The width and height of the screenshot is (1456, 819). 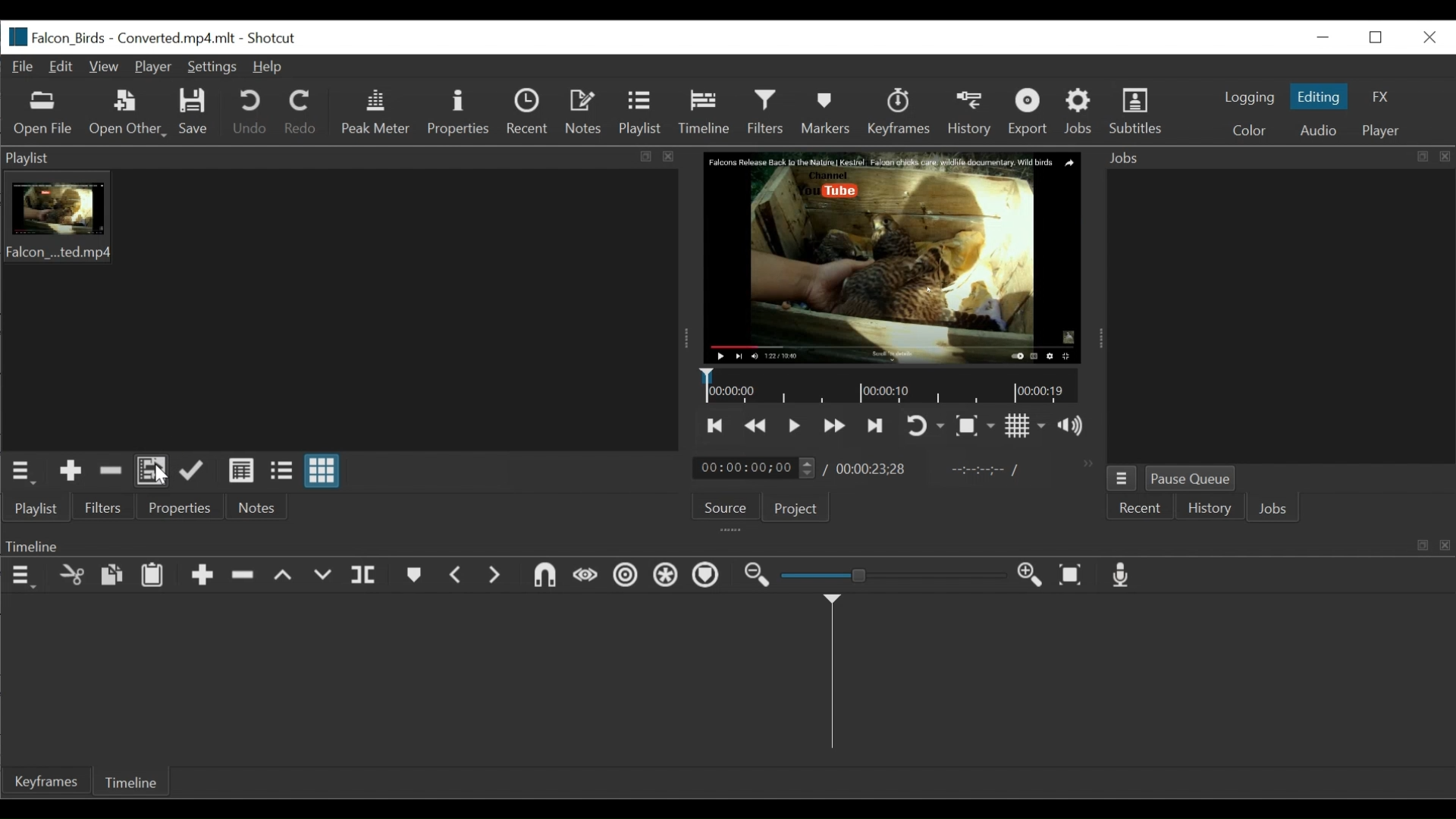 What do you see at coordinates (976, 425) in the screenshot?
I see `Toggle Zoom ` at bounding box center [976, 425].